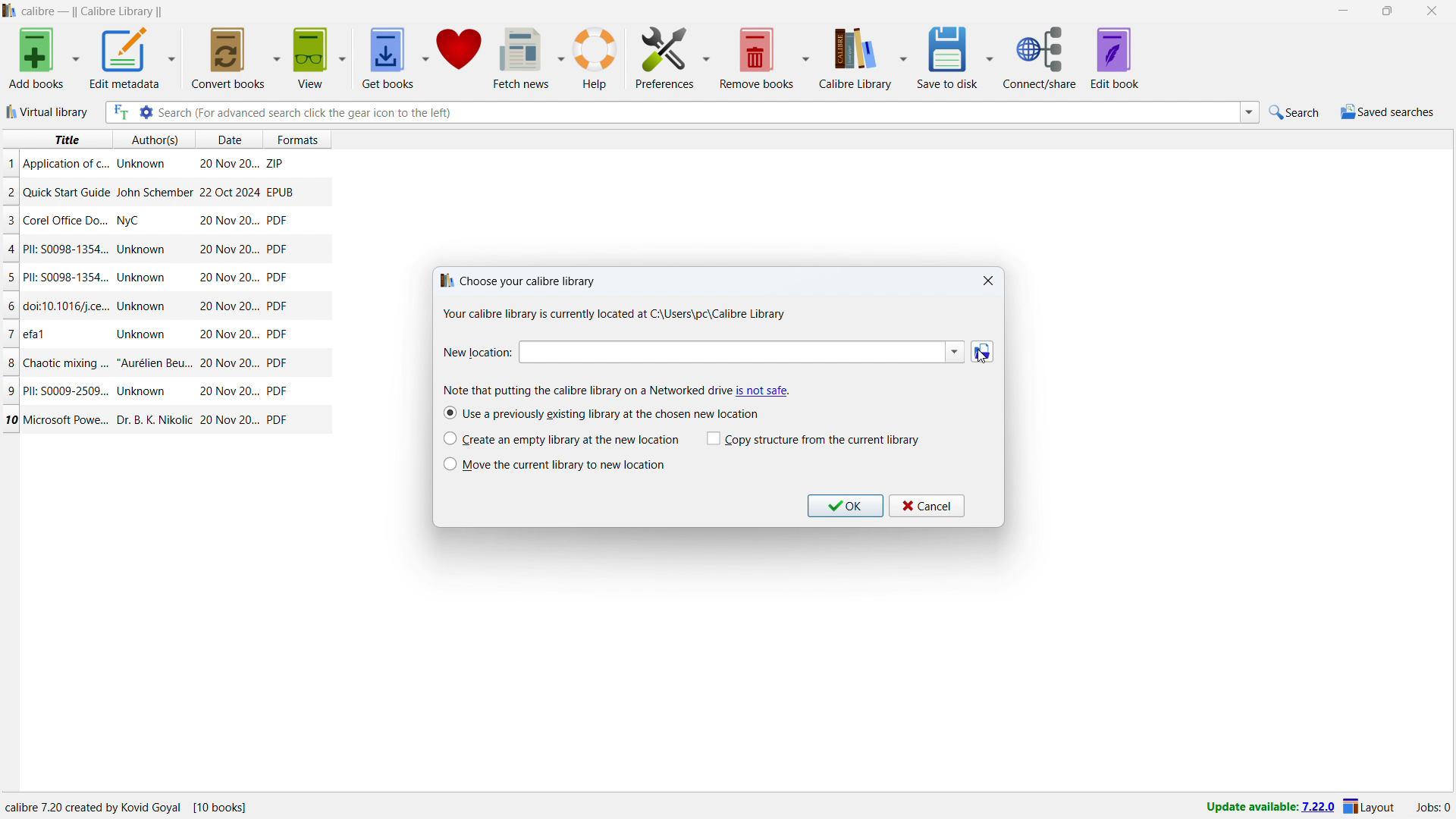  I want to click on Author, so click(140, 165).